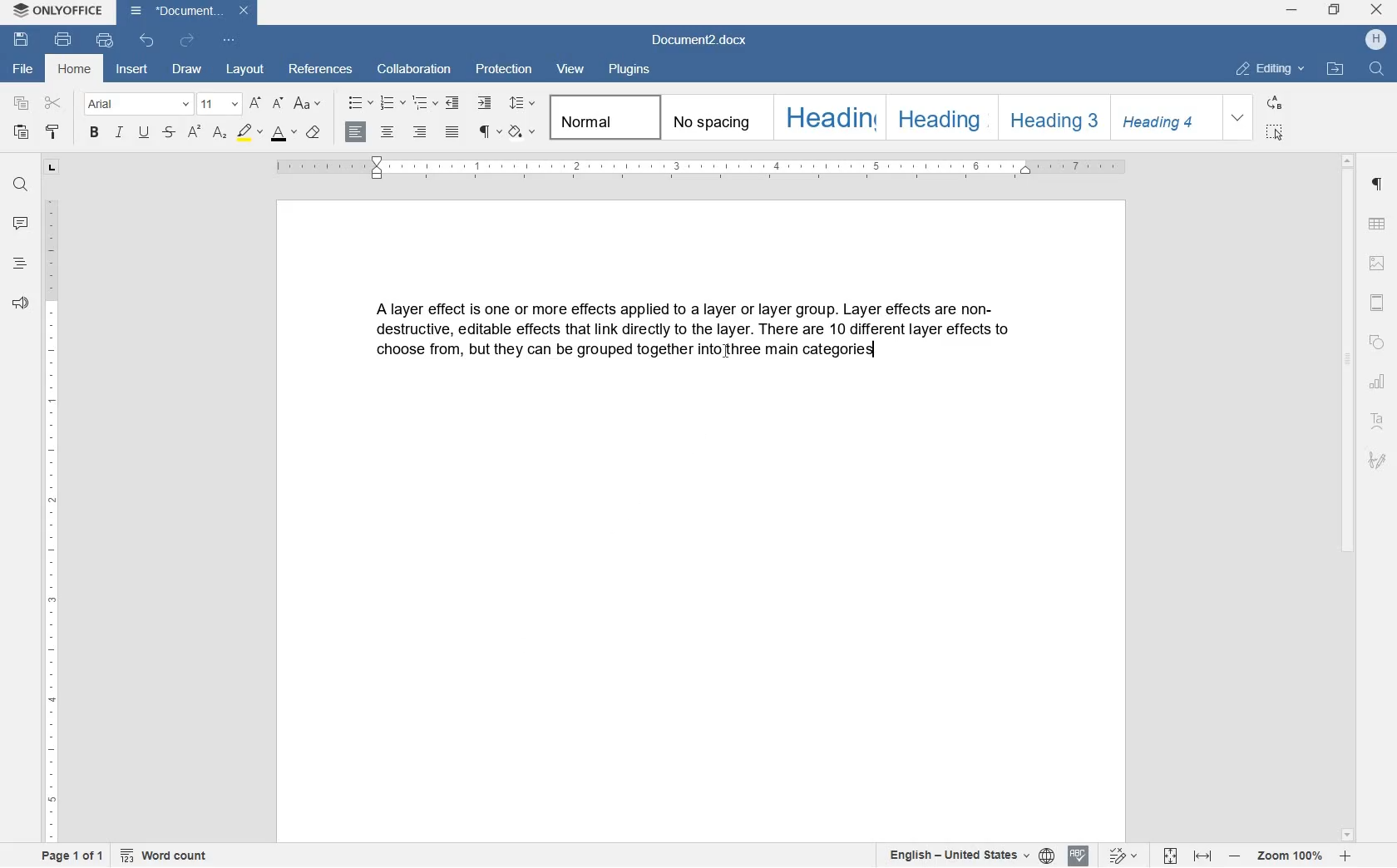 The width and height of the screenshot is (1397, 868). Describe the element at coordinates (136, 104) in the screenshot. I see `font name` at that location.